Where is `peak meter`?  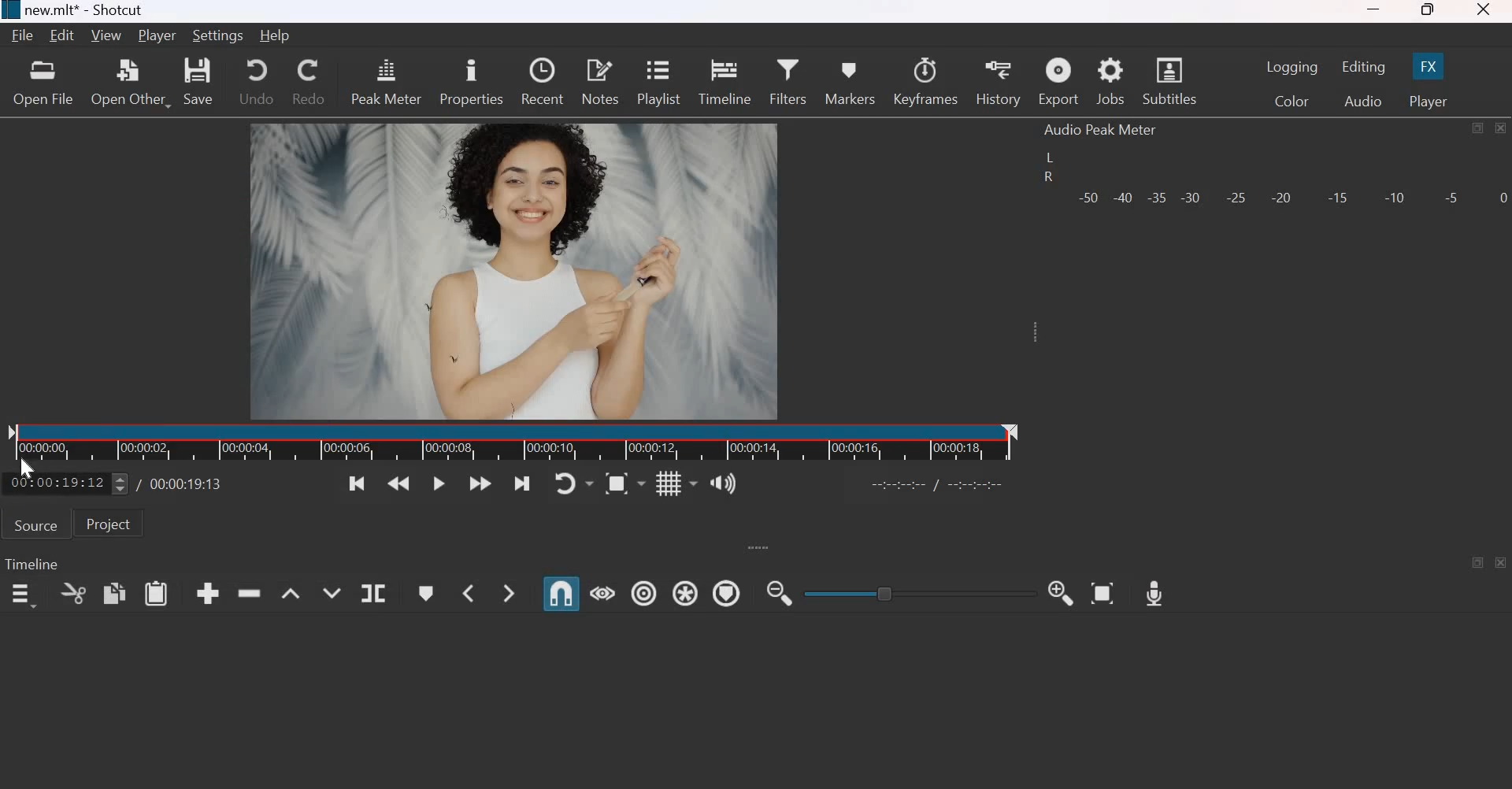
peak meter is located at coordinates (387, 80).